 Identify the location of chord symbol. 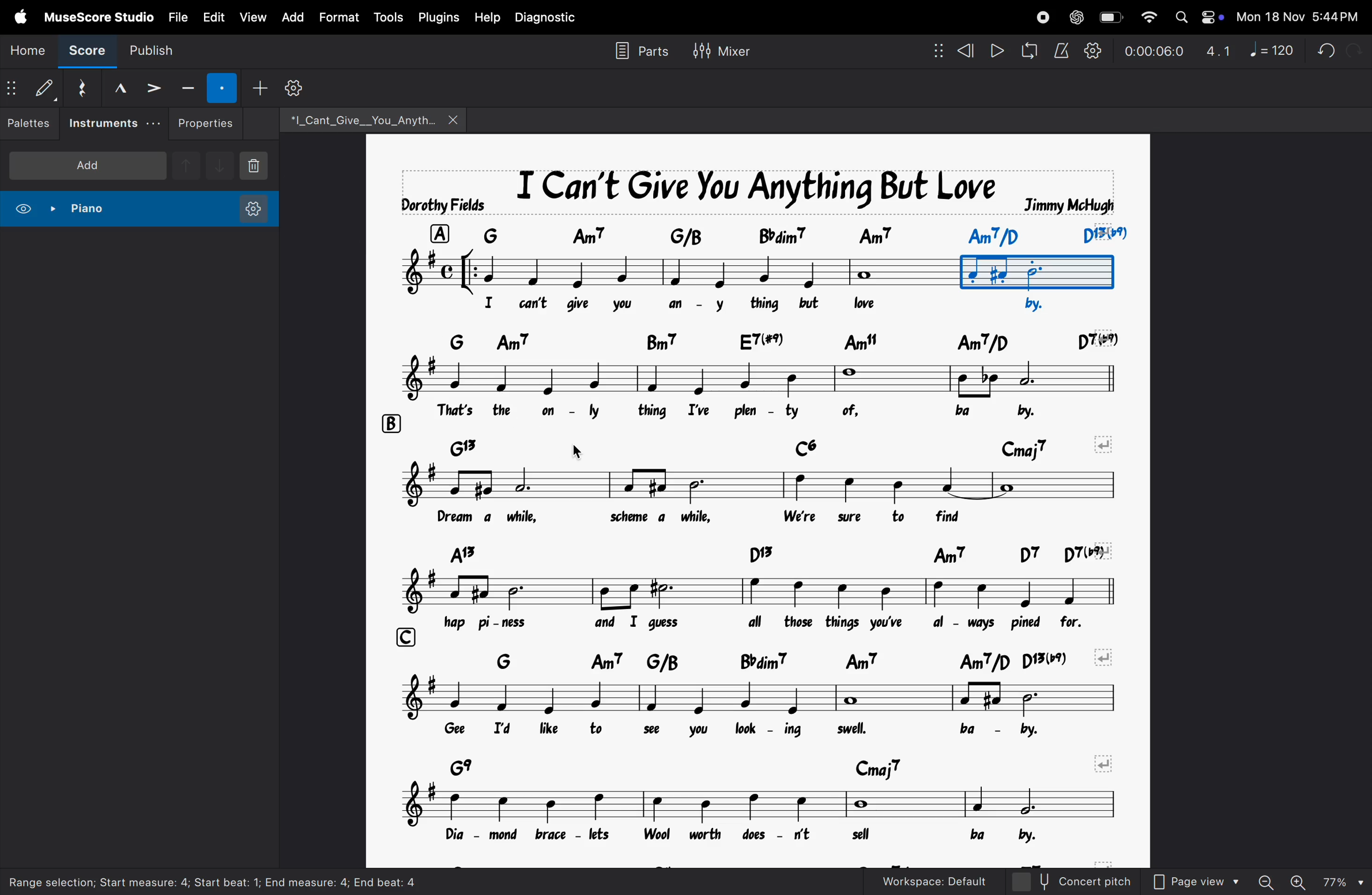
(775, 551).